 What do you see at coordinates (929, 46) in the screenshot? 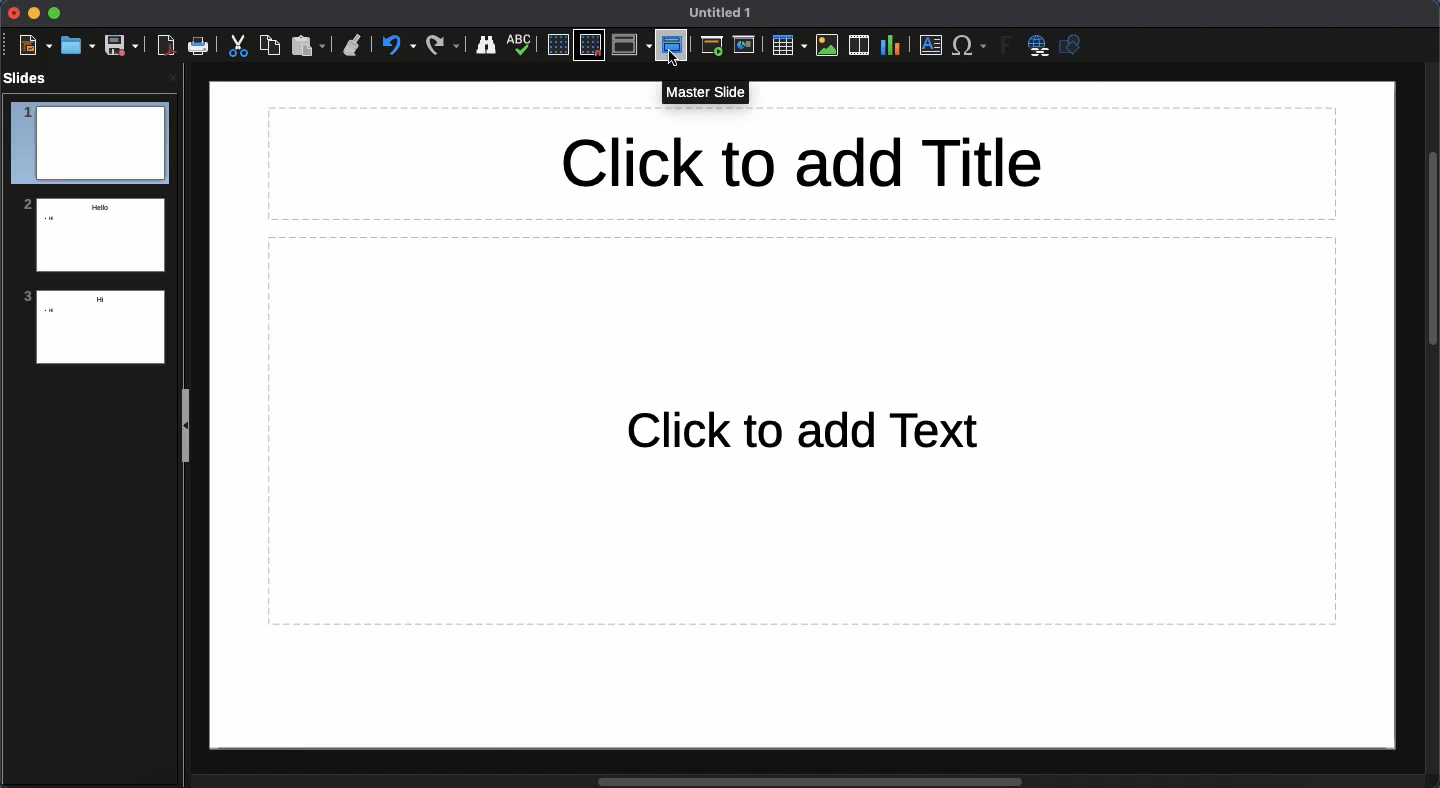
I see `Textbox` at bounding box center [929, 46].